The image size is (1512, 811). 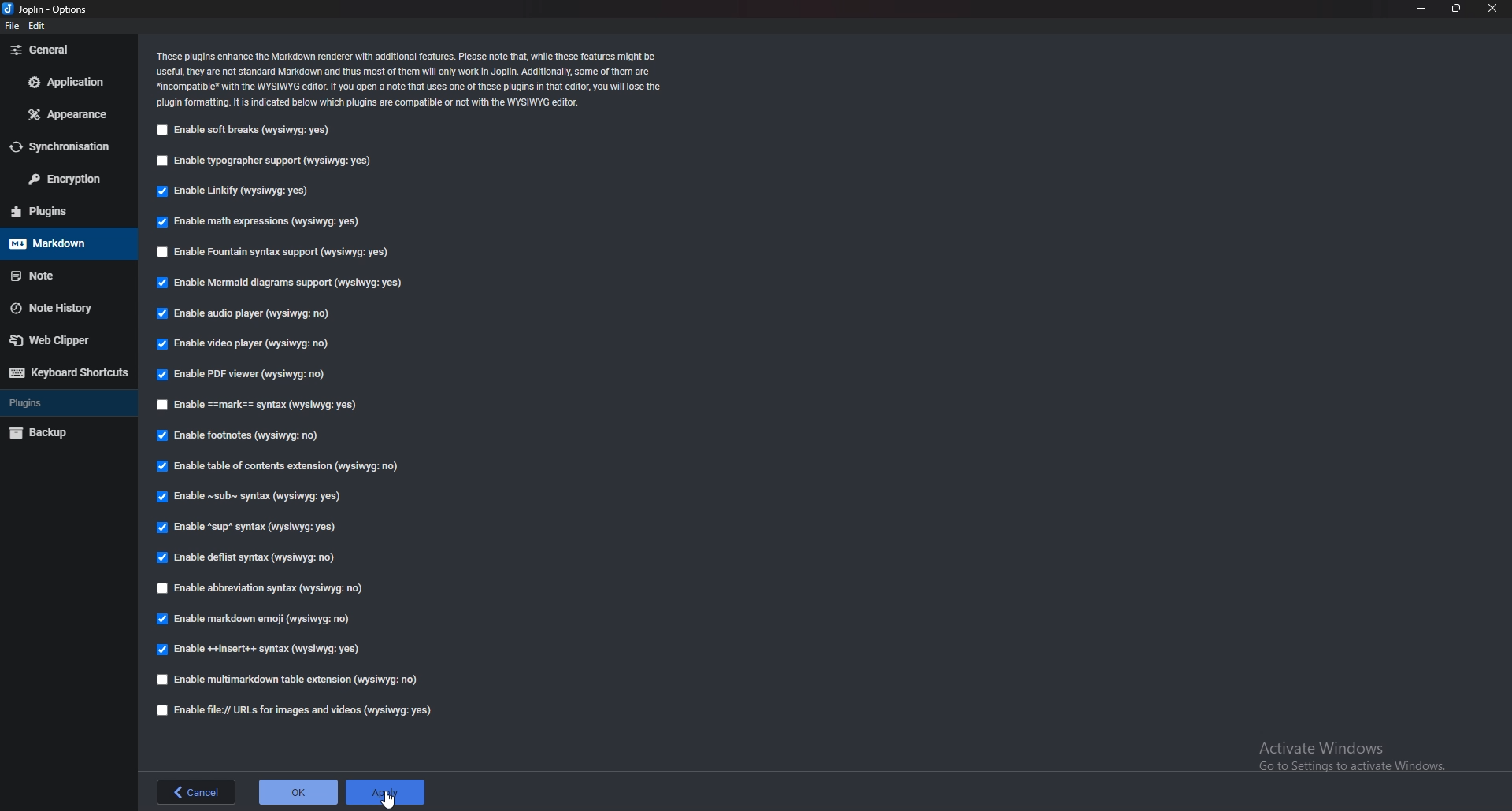 I want to click on Resize, so click(x=1457, y=9).